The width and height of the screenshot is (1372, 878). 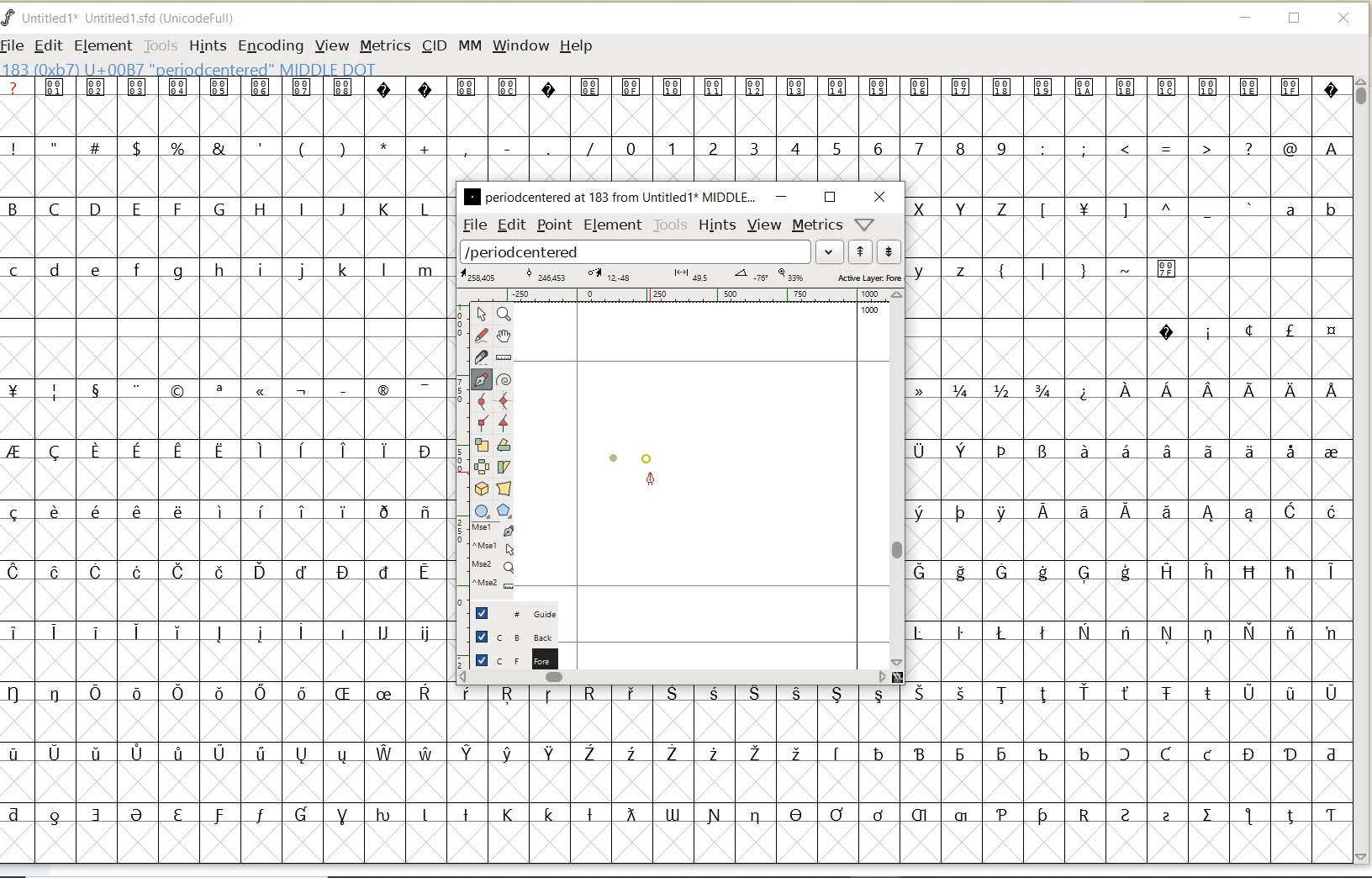 I want to click on ENCODING, so click(x=271, y=47).